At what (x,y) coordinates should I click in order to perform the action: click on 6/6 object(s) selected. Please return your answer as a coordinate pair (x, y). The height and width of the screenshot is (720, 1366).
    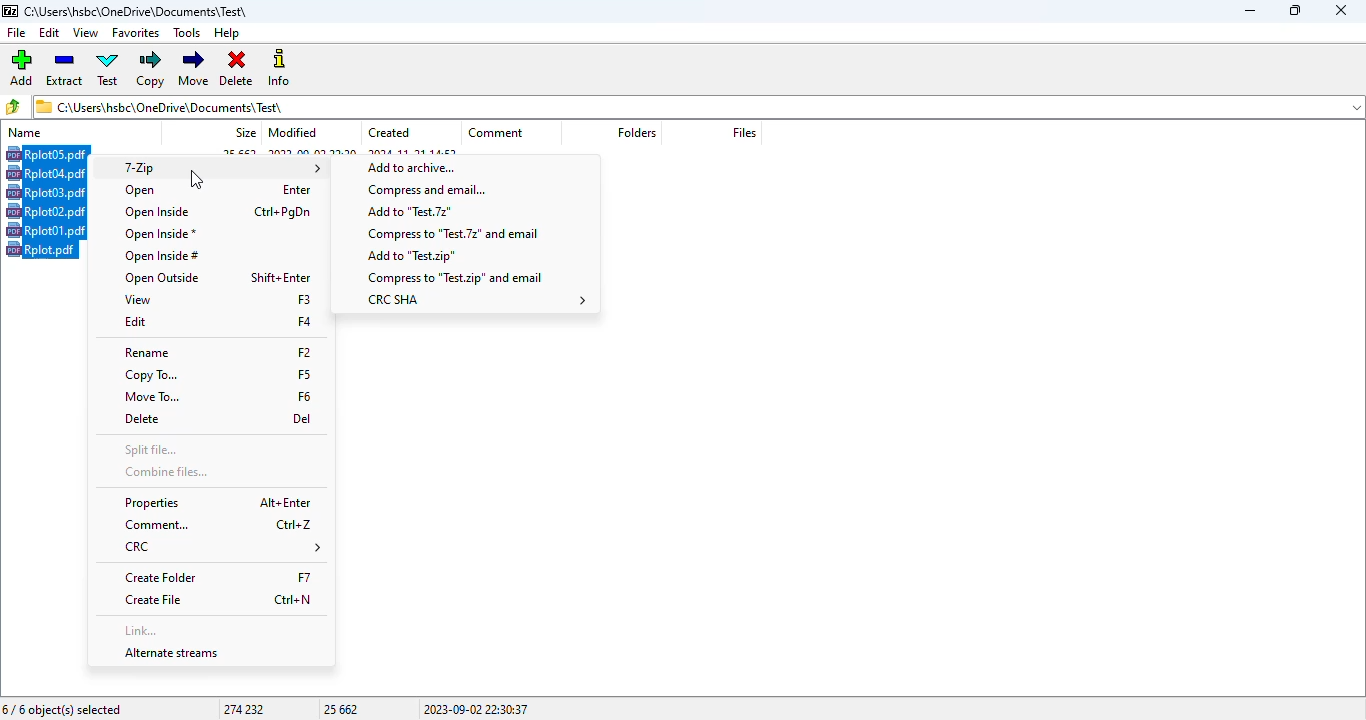
    Looking at the image, I should click on (63, 710).